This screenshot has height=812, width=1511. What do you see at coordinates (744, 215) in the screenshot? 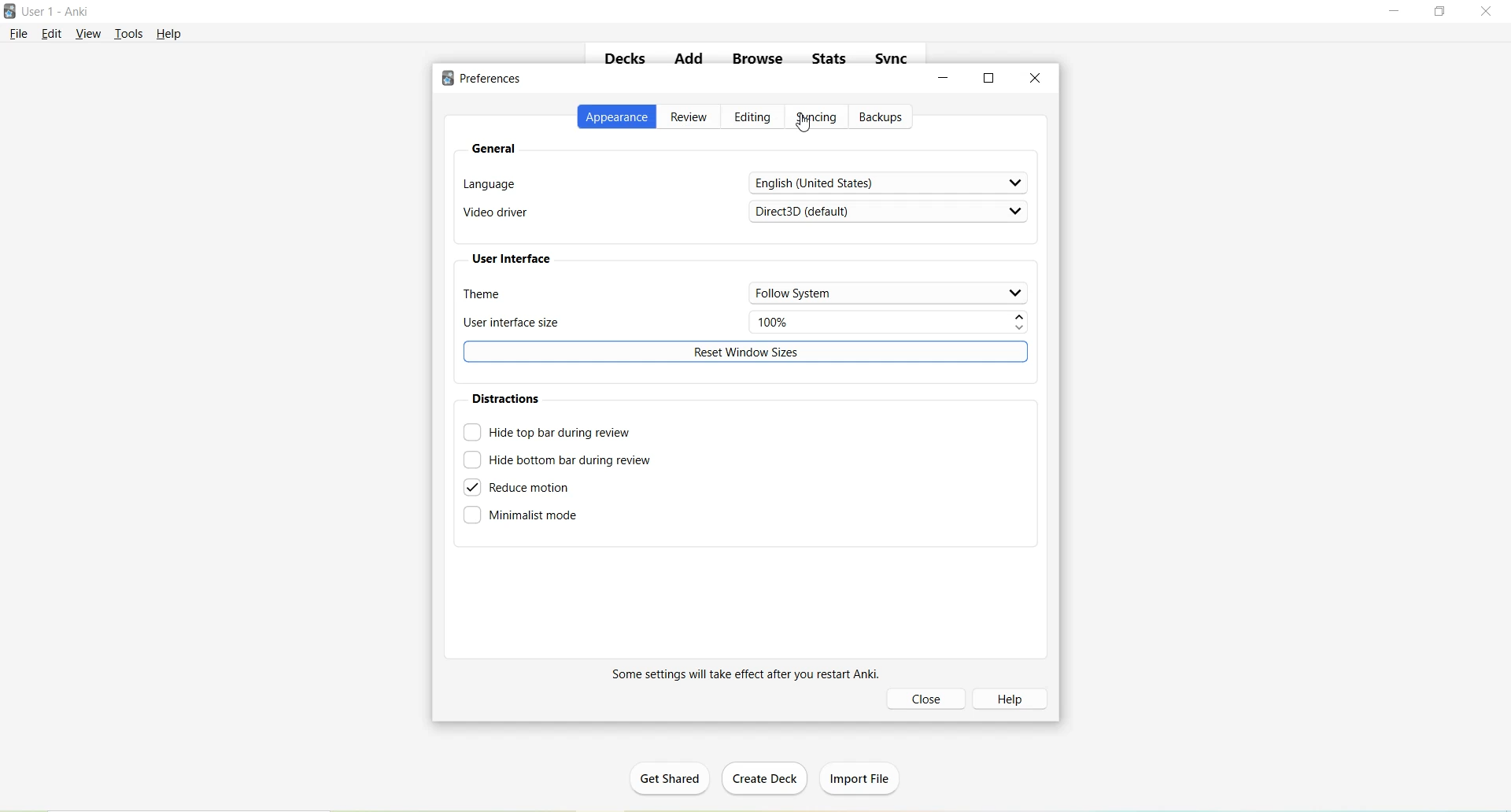
I see `Video driver` at bounding box center [744, 215].